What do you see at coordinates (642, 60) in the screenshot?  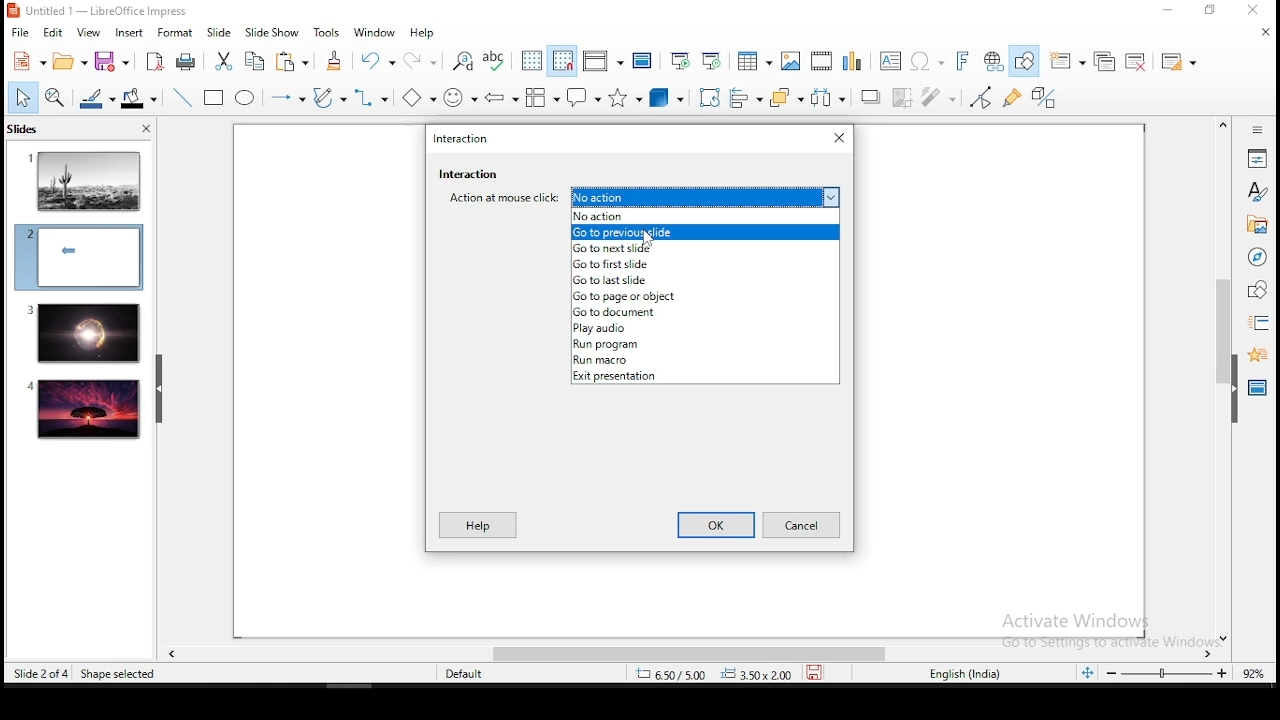 I see `master slide` at bounding box center [642, 60].